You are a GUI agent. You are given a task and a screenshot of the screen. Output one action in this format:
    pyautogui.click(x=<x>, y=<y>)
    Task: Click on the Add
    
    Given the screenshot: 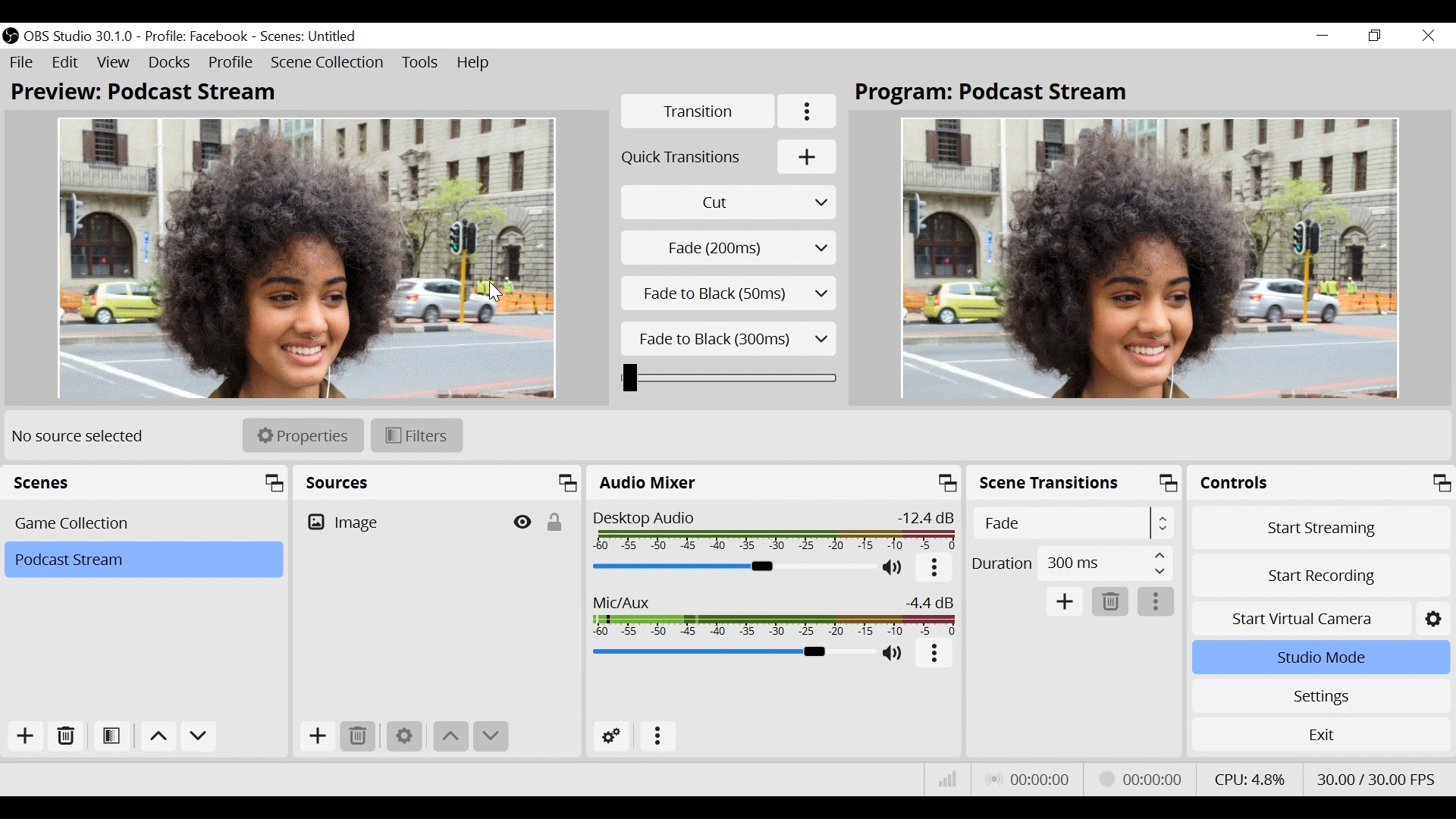 What is the action you would take?
    pyautogui.click(x=25, y=735)
    